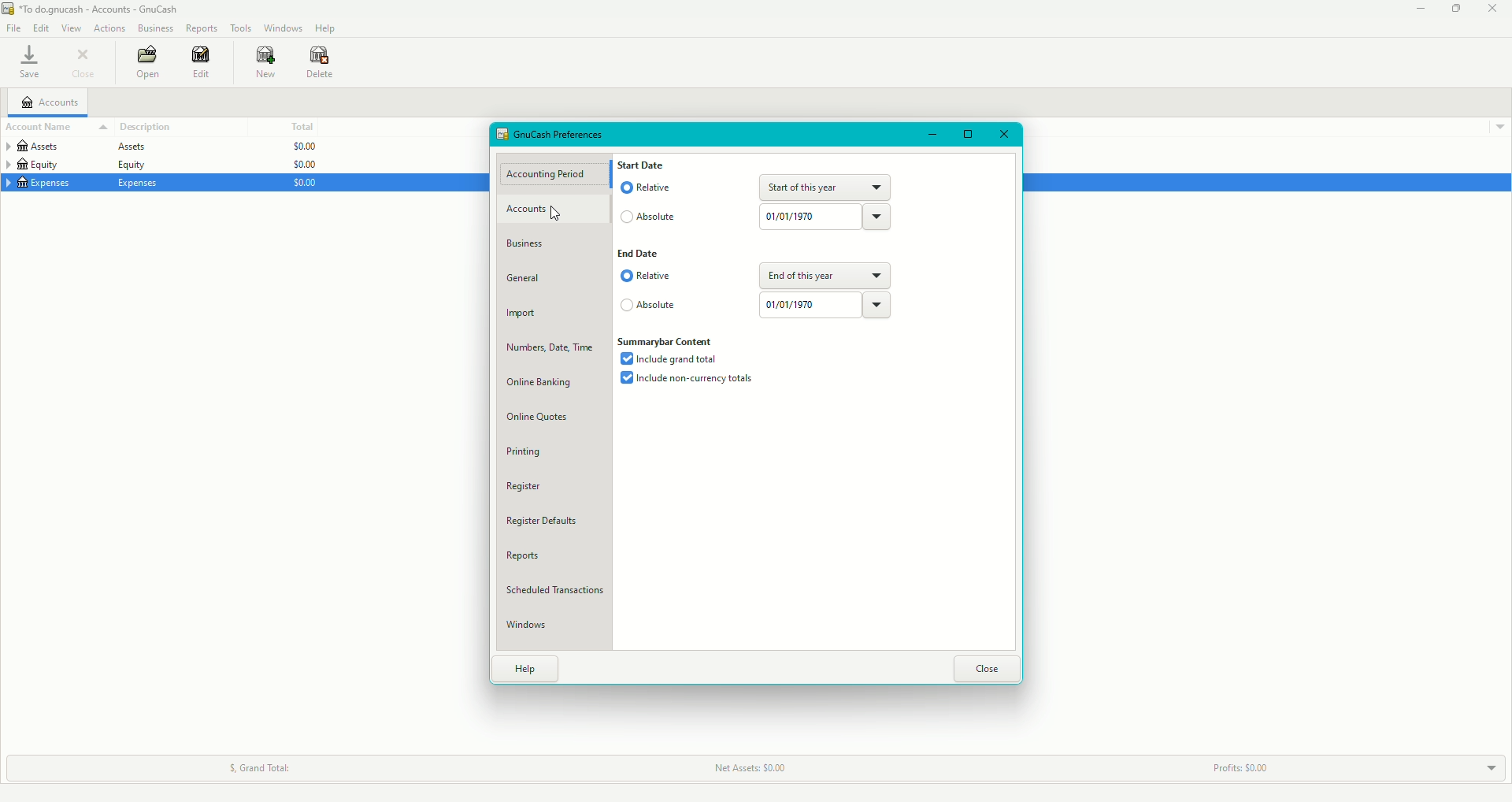 This screenshot has width=1512, height=802. What do you see at coordinates (548, 523) in the screenshot?
I see `Register Defaults` at bounding box center [548, 523].